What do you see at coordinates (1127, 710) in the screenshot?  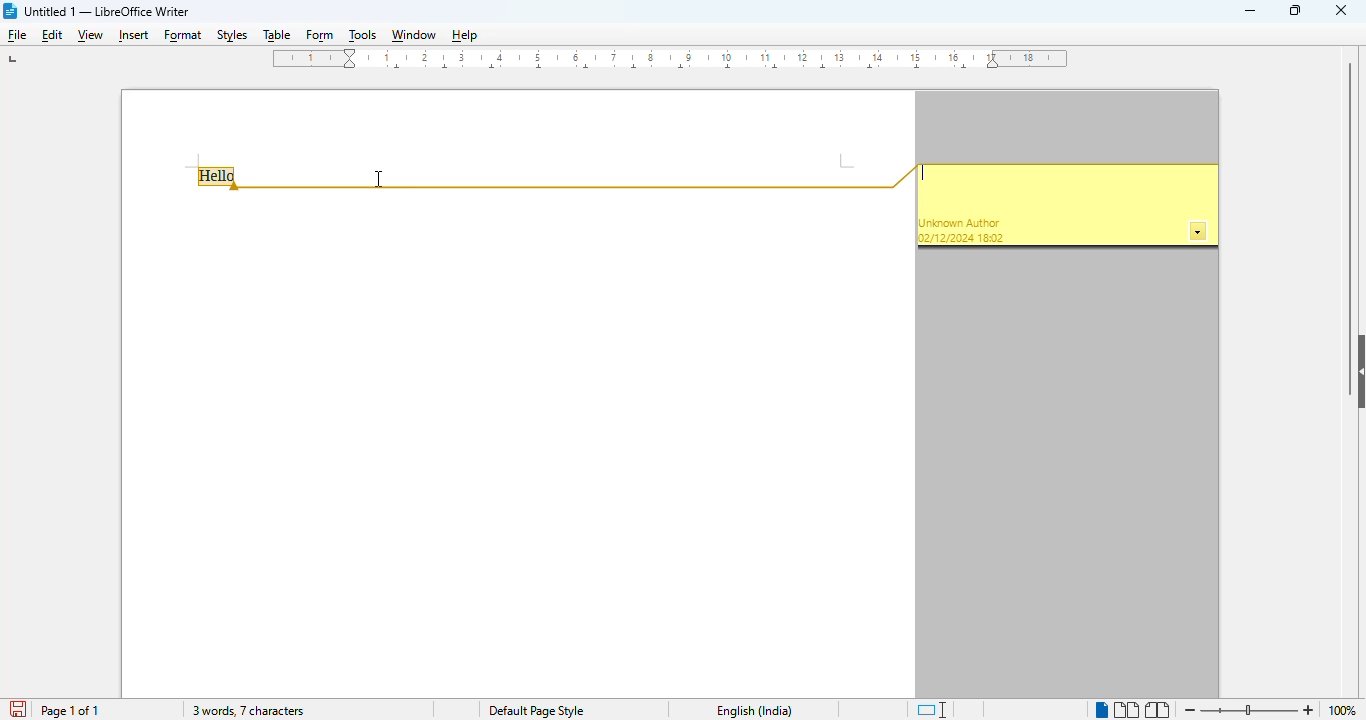 I see `multi-page view` at bounding box center [1127, 710].